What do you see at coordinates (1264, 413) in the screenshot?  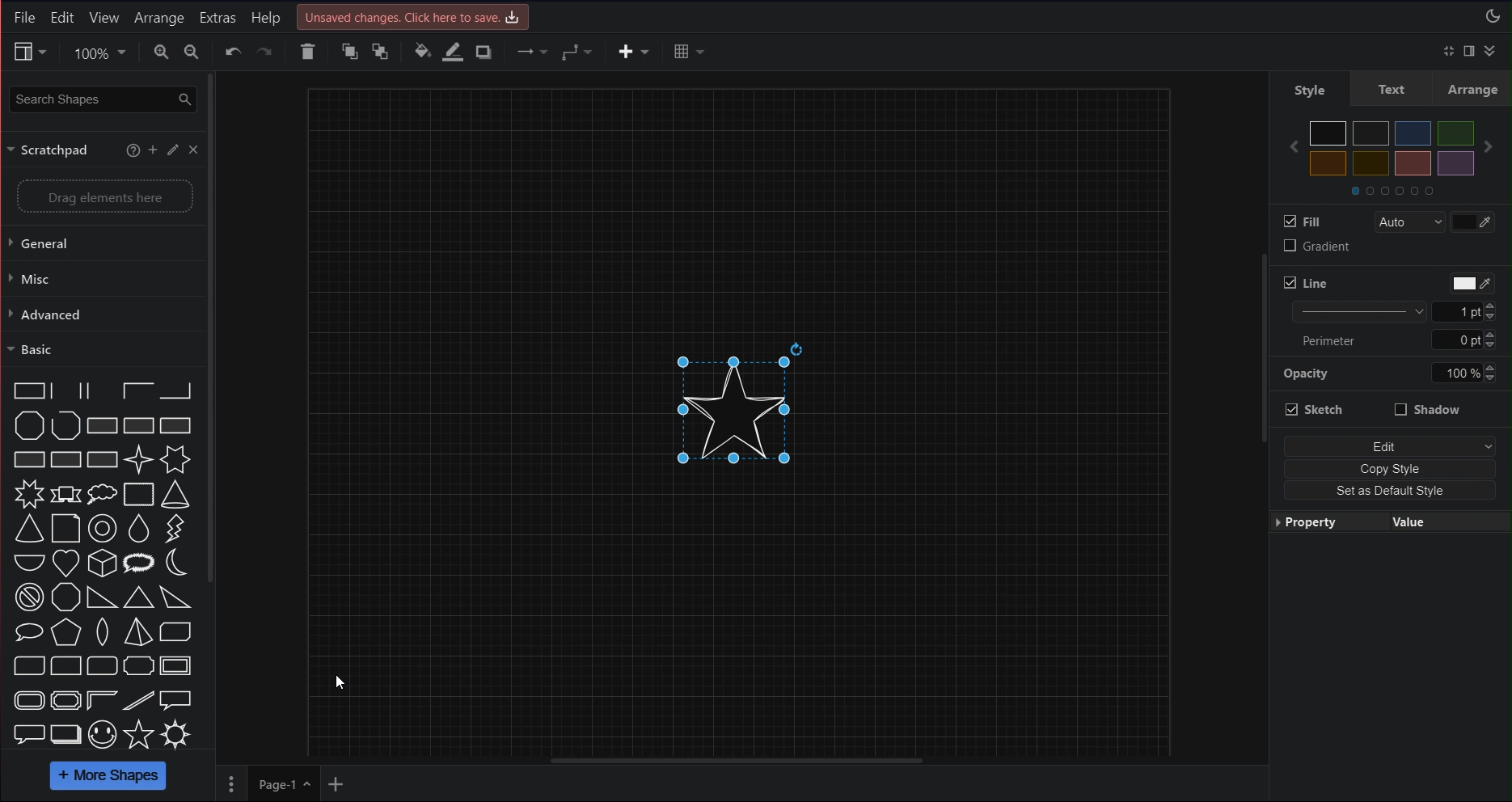 I see `Vertical Scroll bar` at bounding box center [1264, 413].